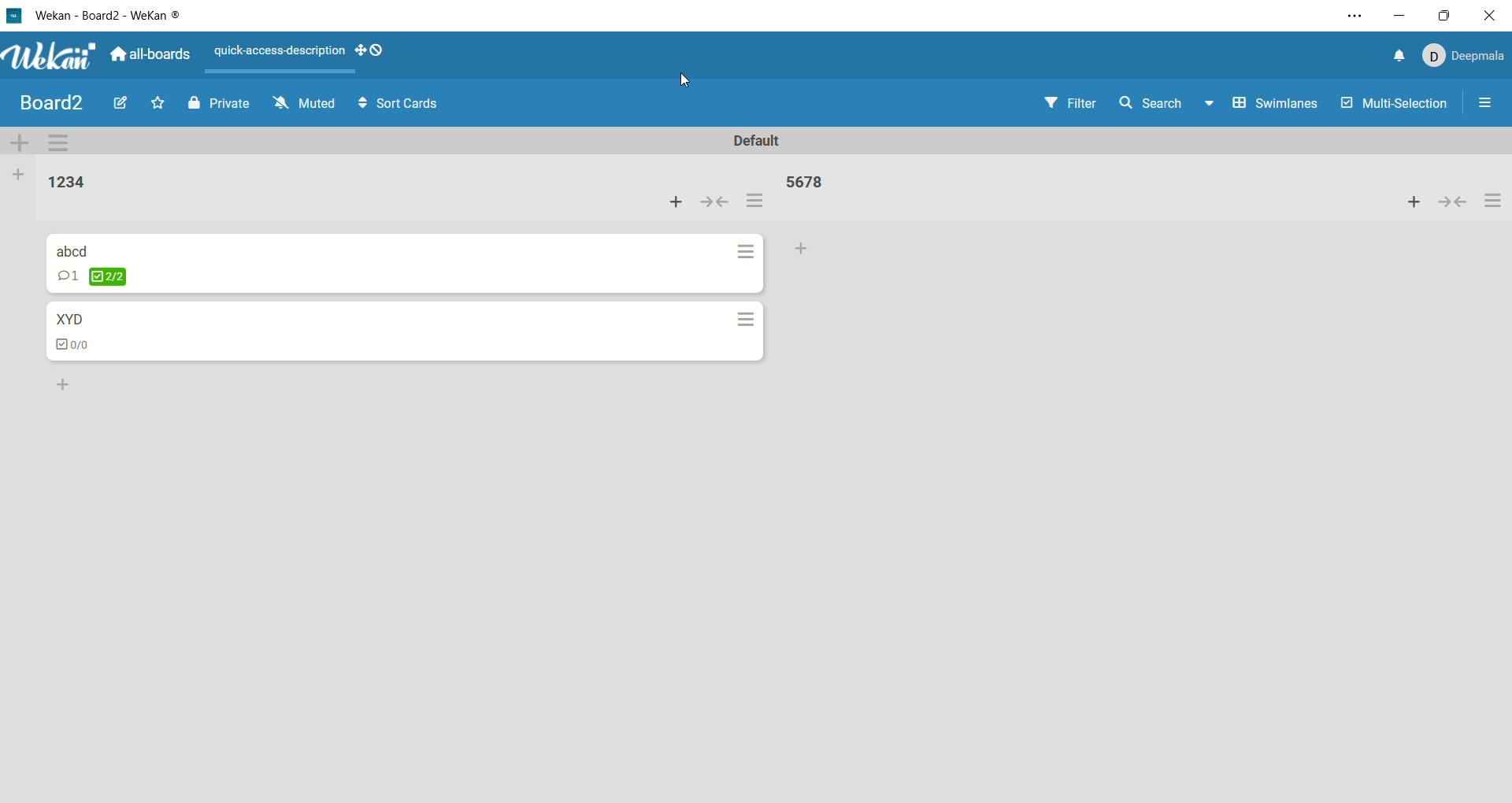 The image size is (1512, 803). Describe the element at coordinates (754, 272) in the screenshot. I see `options` at that location.